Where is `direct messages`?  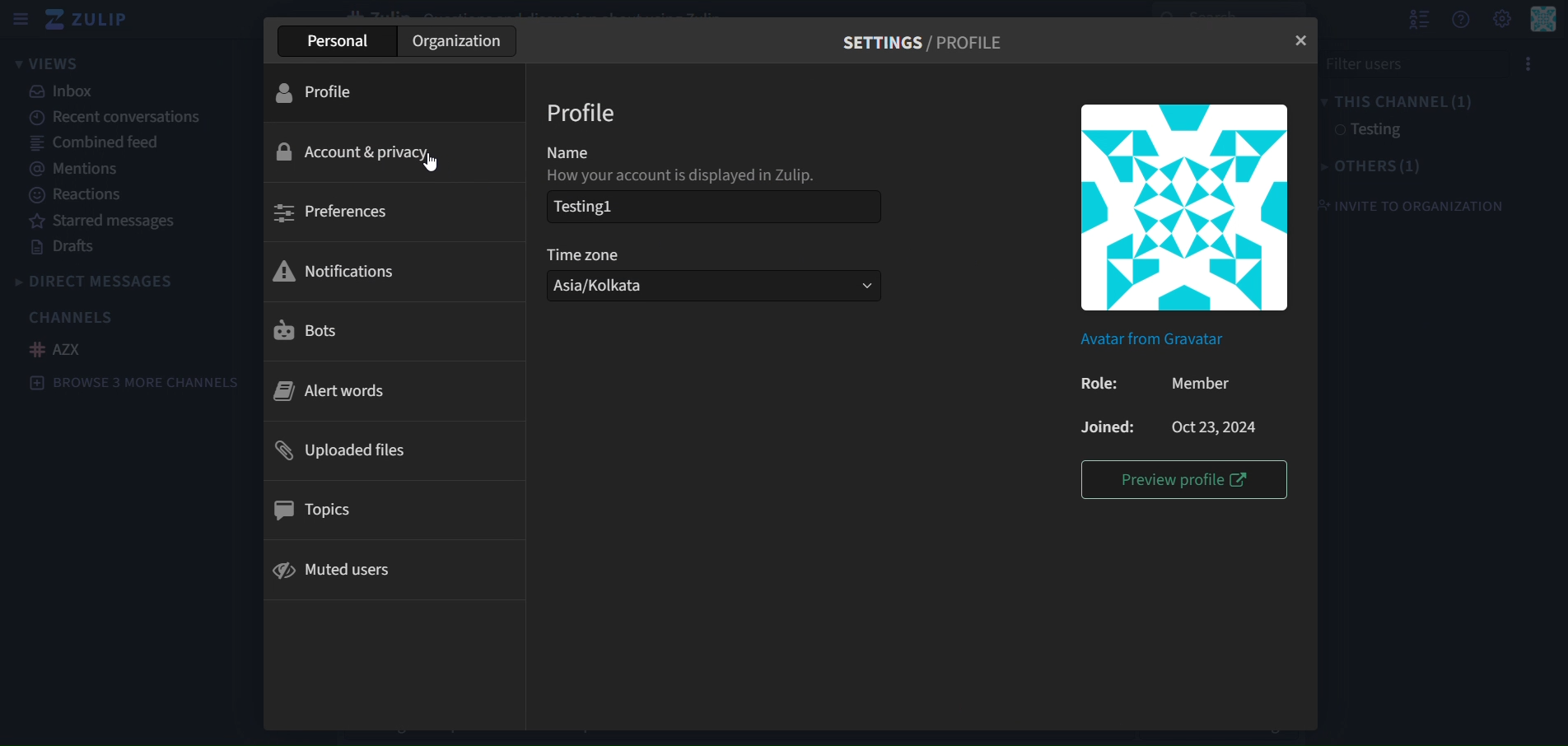
direct messages is located at coordinates (118, 280).